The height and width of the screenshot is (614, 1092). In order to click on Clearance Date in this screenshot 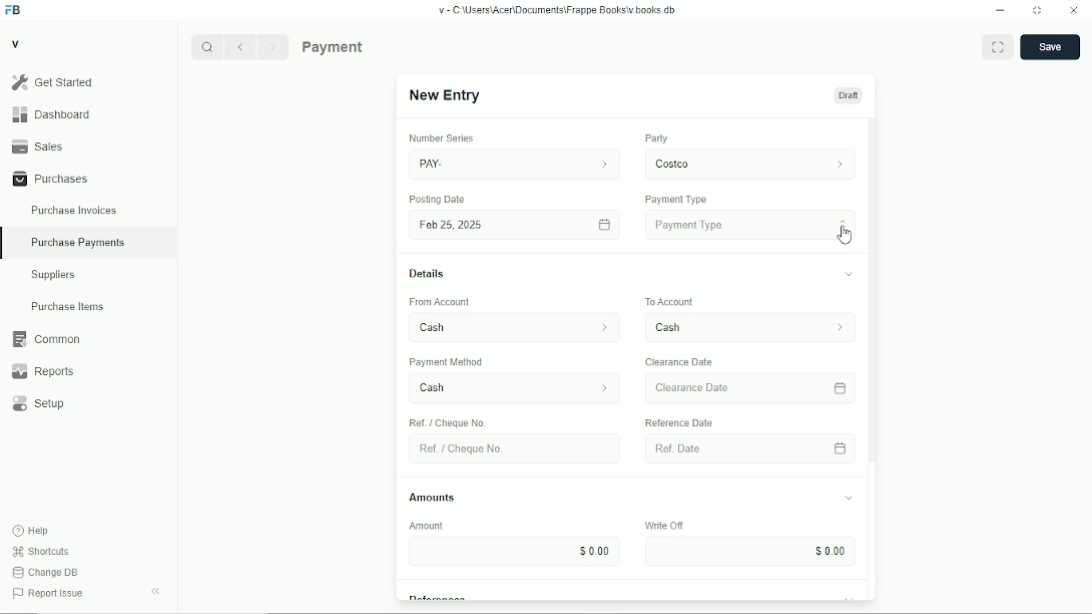, I will do `click(683, 362)`.